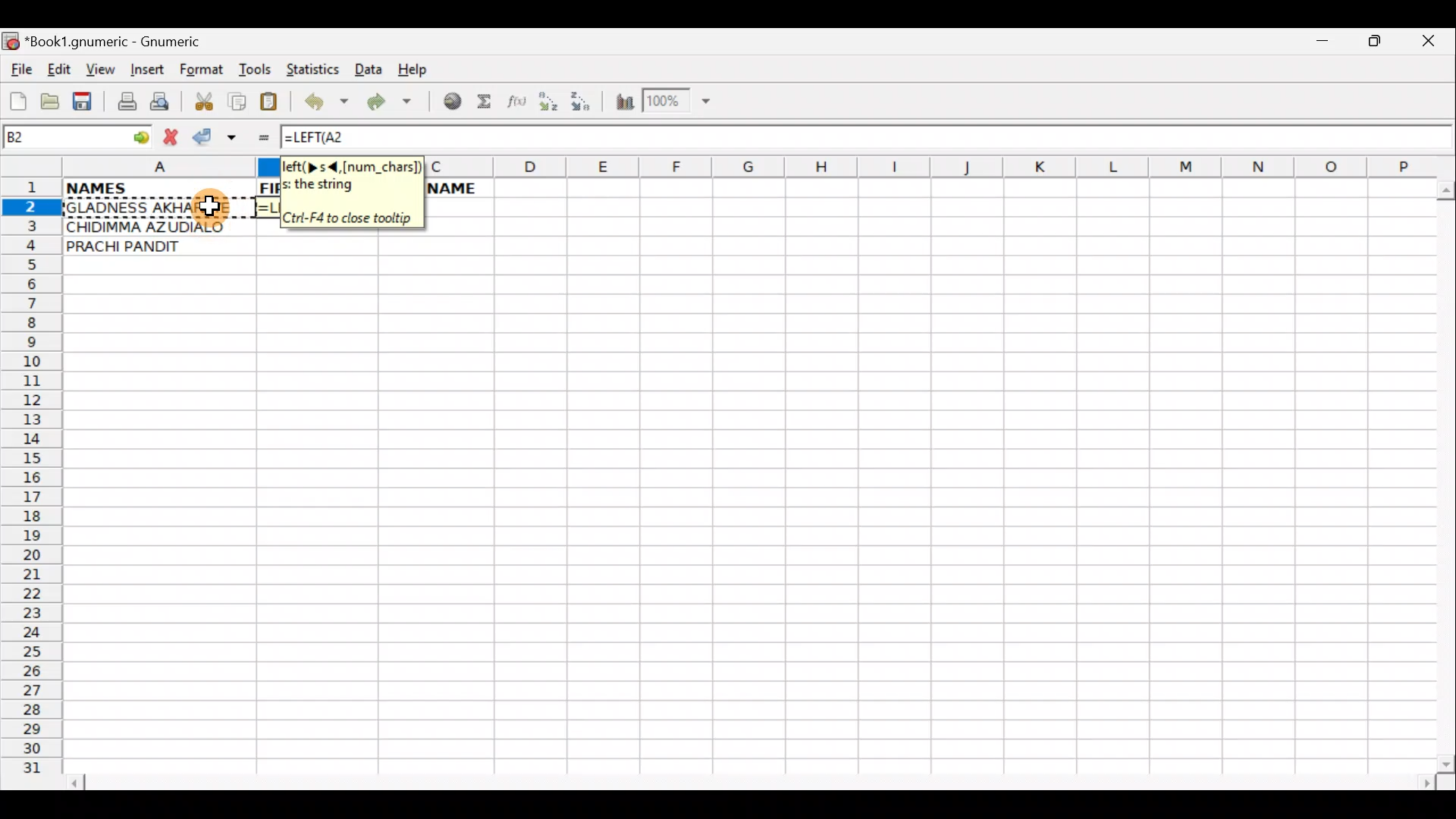  What do you see at coordinates (158, 190) in the screenshot?
I see `NAMES` at bounding box center [158, 190].